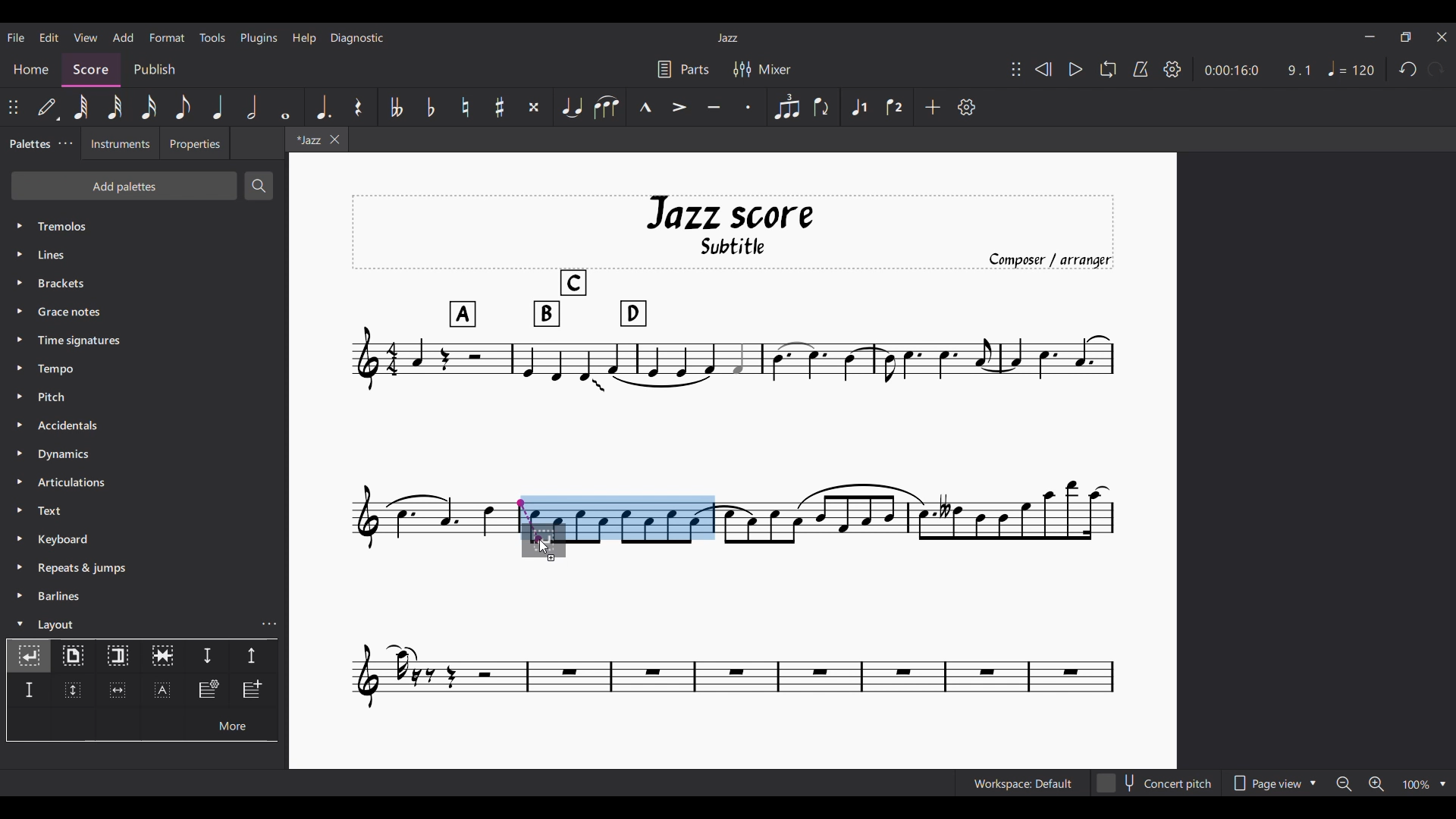 The image size is (1456, 819). Describe the element at coordinates (65, 143) in the screenshot. I see `Palette settings` at that location.